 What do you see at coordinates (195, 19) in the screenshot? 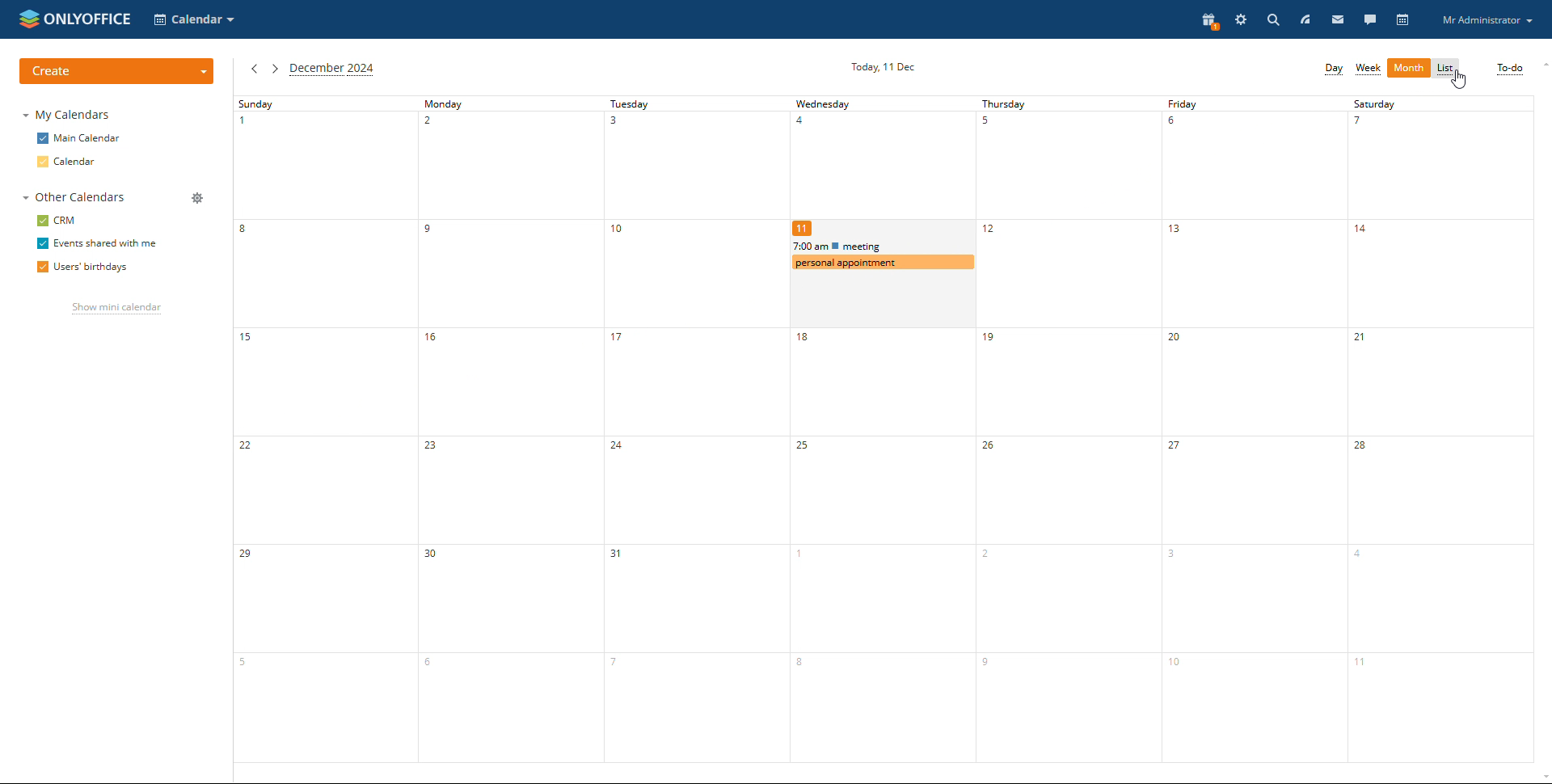
I see `select application` at bounding box center [195, 19].